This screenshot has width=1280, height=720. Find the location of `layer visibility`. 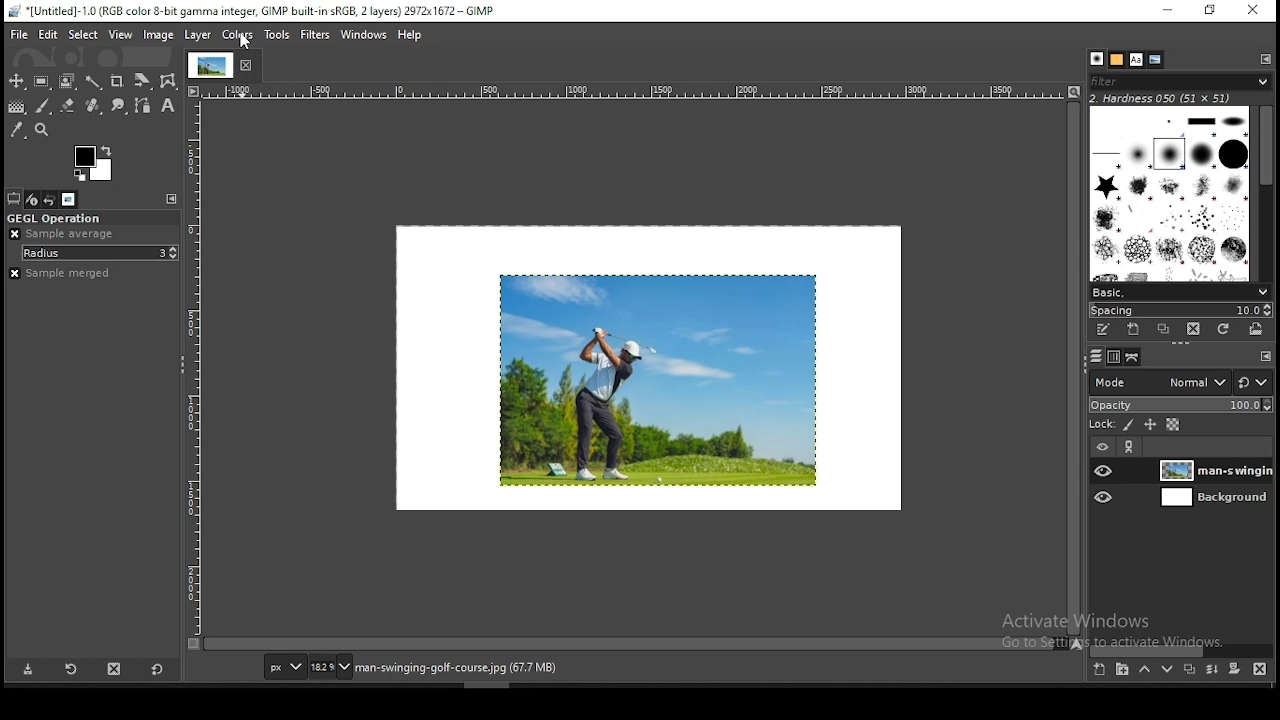

layer visibility is located at coordinates (1101, 448).